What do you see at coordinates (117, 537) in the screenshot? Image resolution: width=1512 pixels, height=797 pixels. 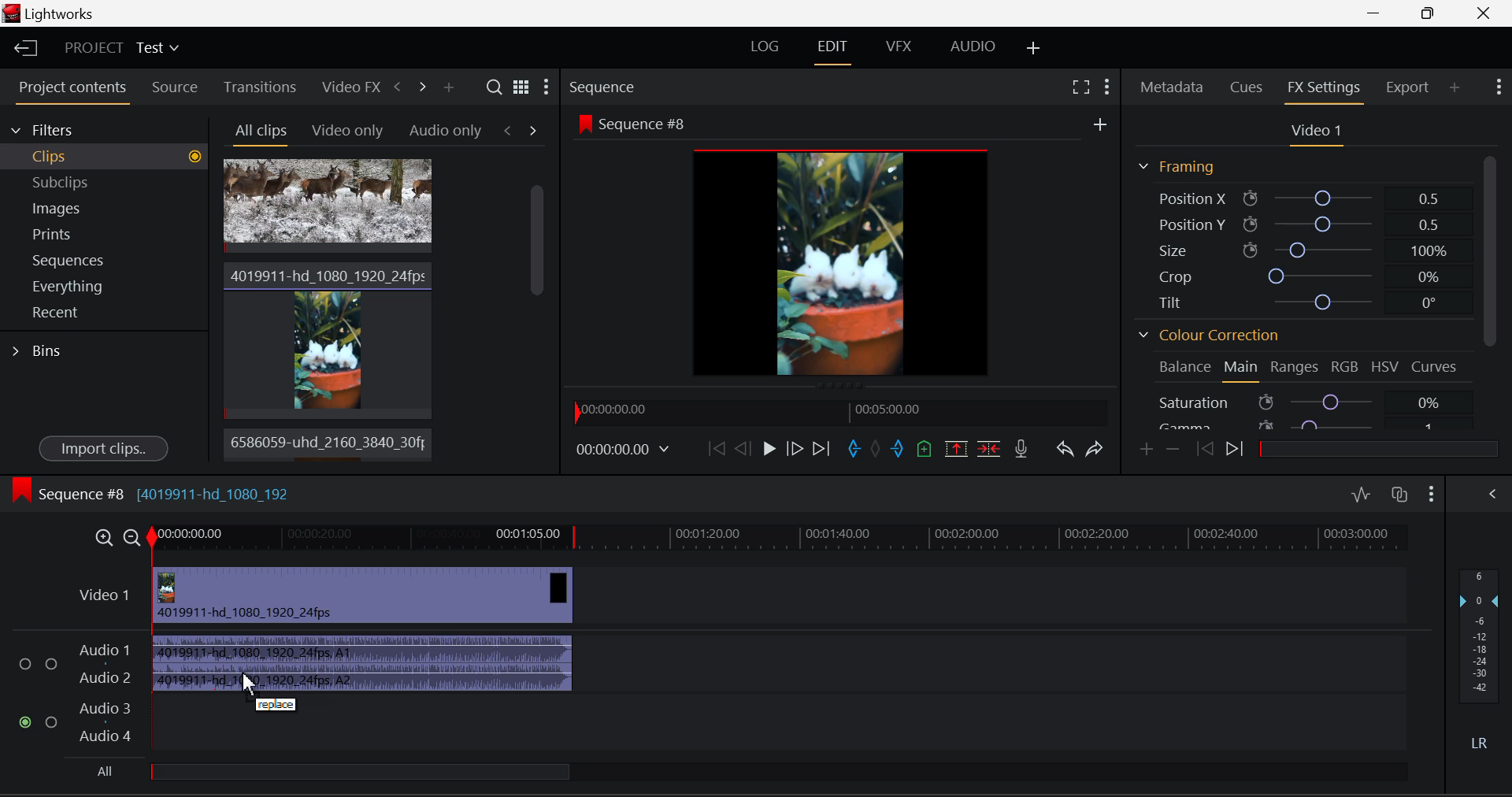 I see `Timeline Zoom In/Out` at bounding box center [117, 537].